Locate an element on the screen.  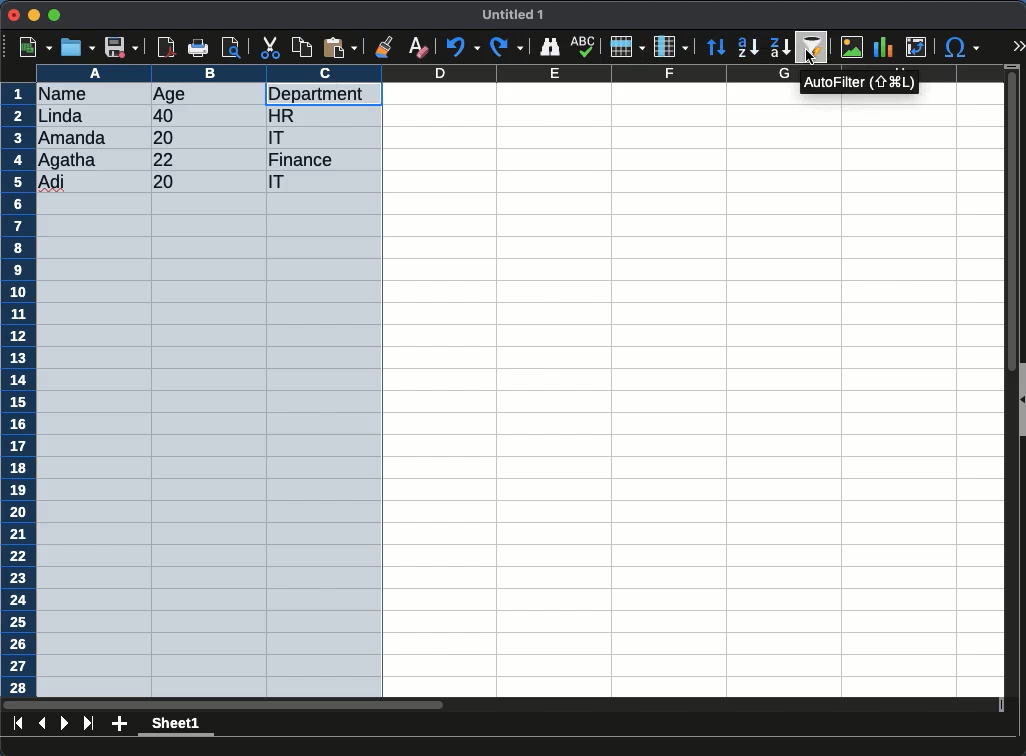
print is located at coordinates (201, 47).